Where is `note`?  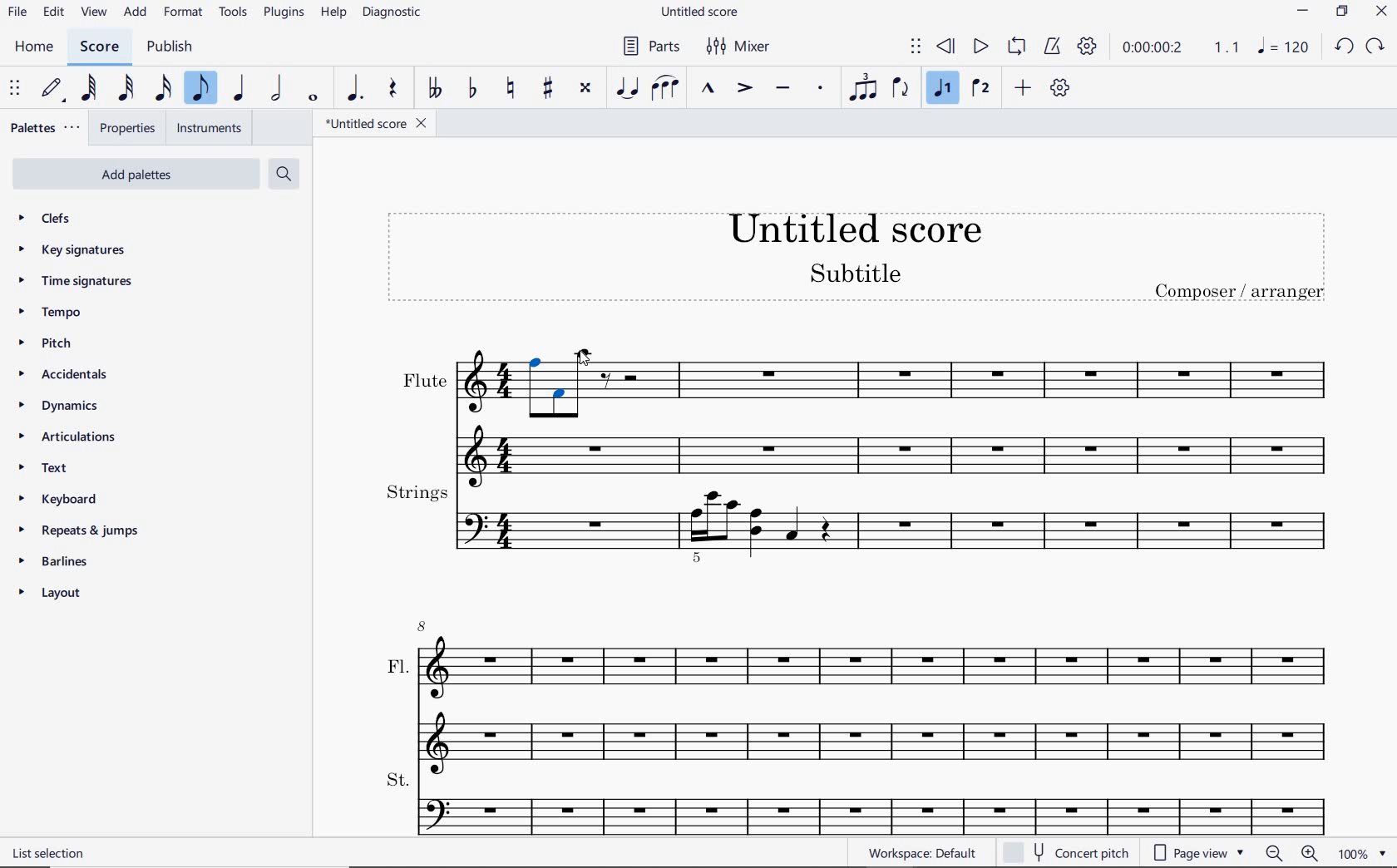
note is located at coordinates (1282, 47).